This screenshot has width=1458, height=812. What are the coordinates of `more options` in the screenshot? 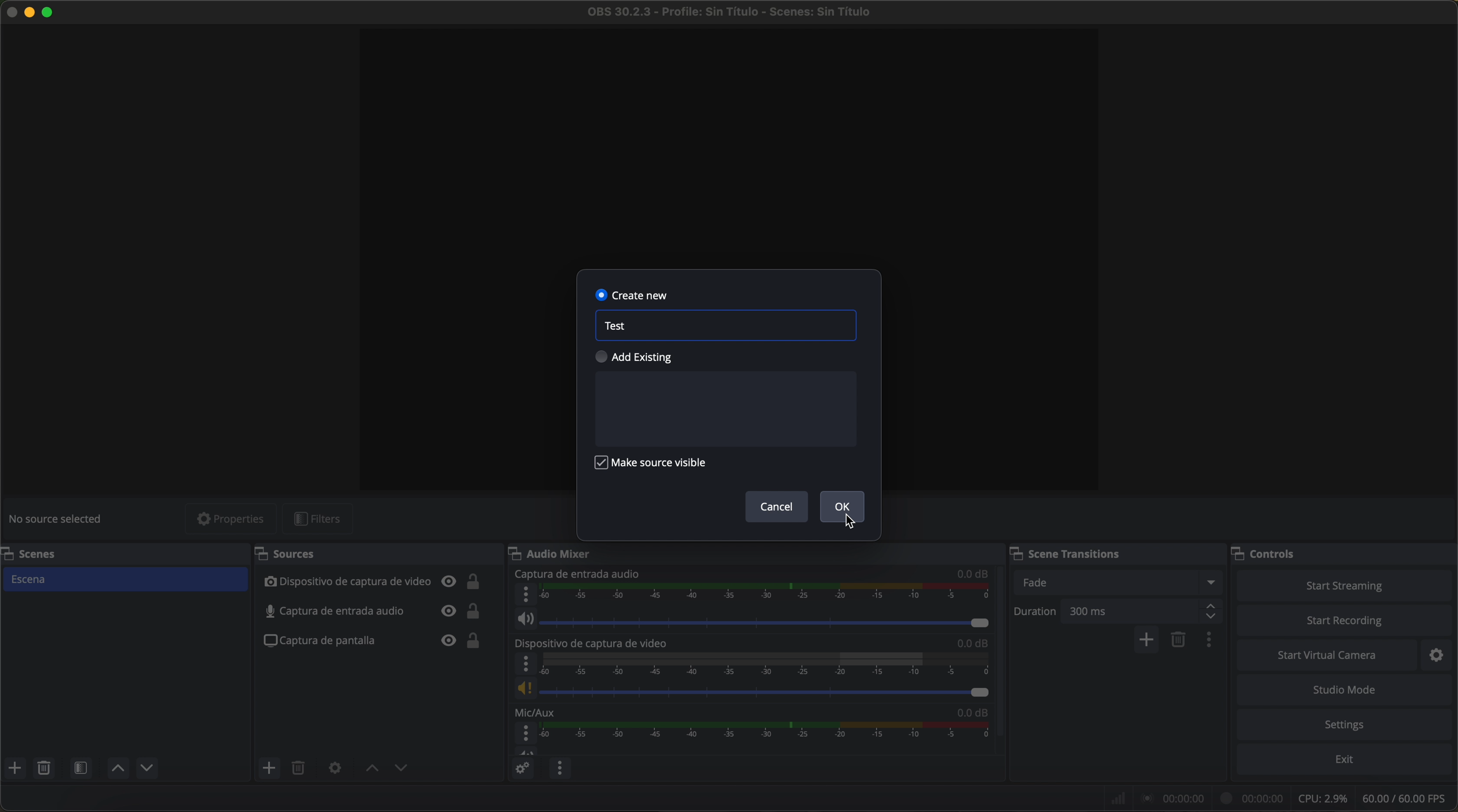 It's located at (527, 733).